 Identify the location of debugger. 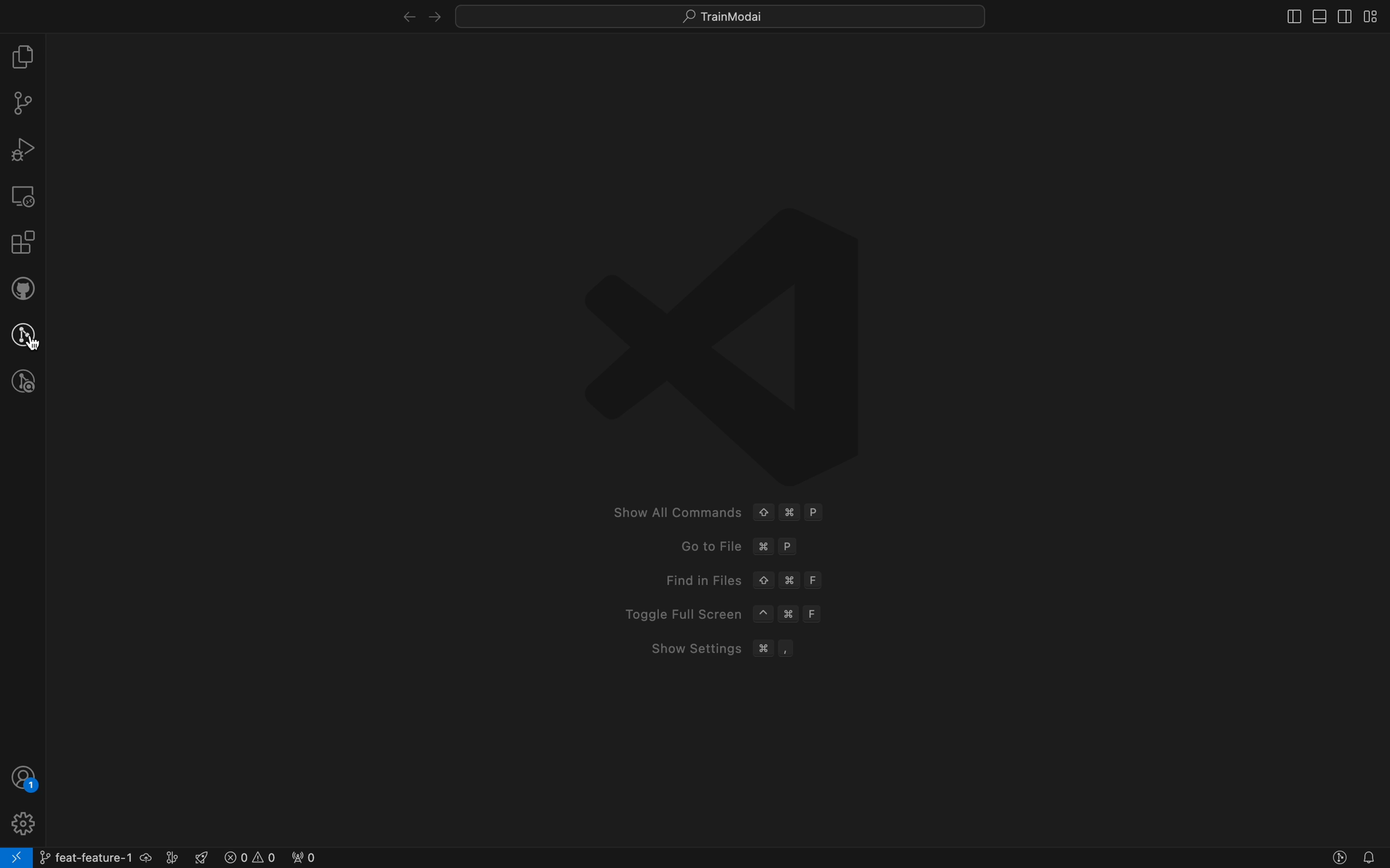
(21, 150).